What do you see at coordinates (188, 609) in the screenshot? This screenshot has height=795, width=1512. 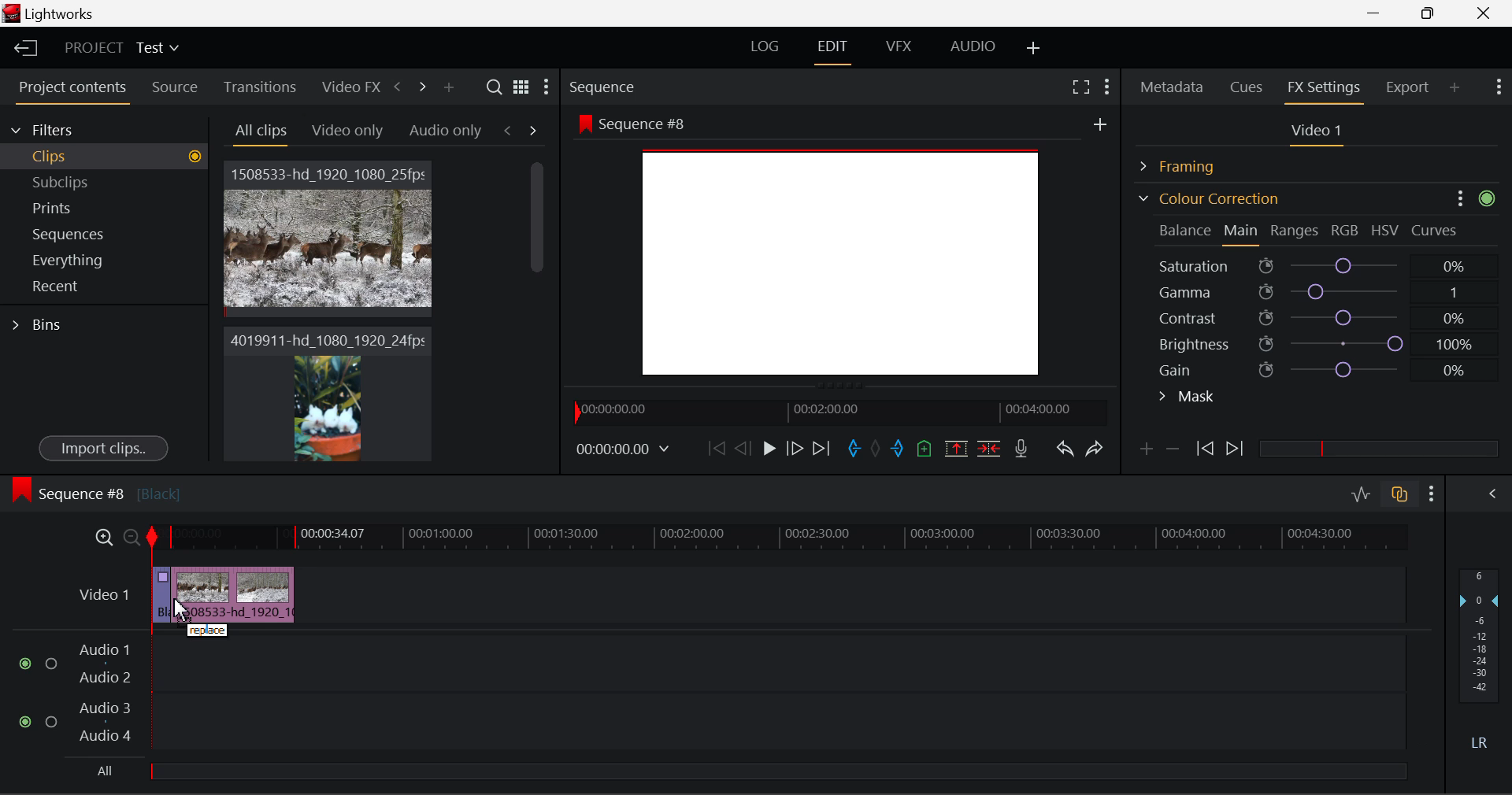 I see `cursor` at bounding box center [188, 609].